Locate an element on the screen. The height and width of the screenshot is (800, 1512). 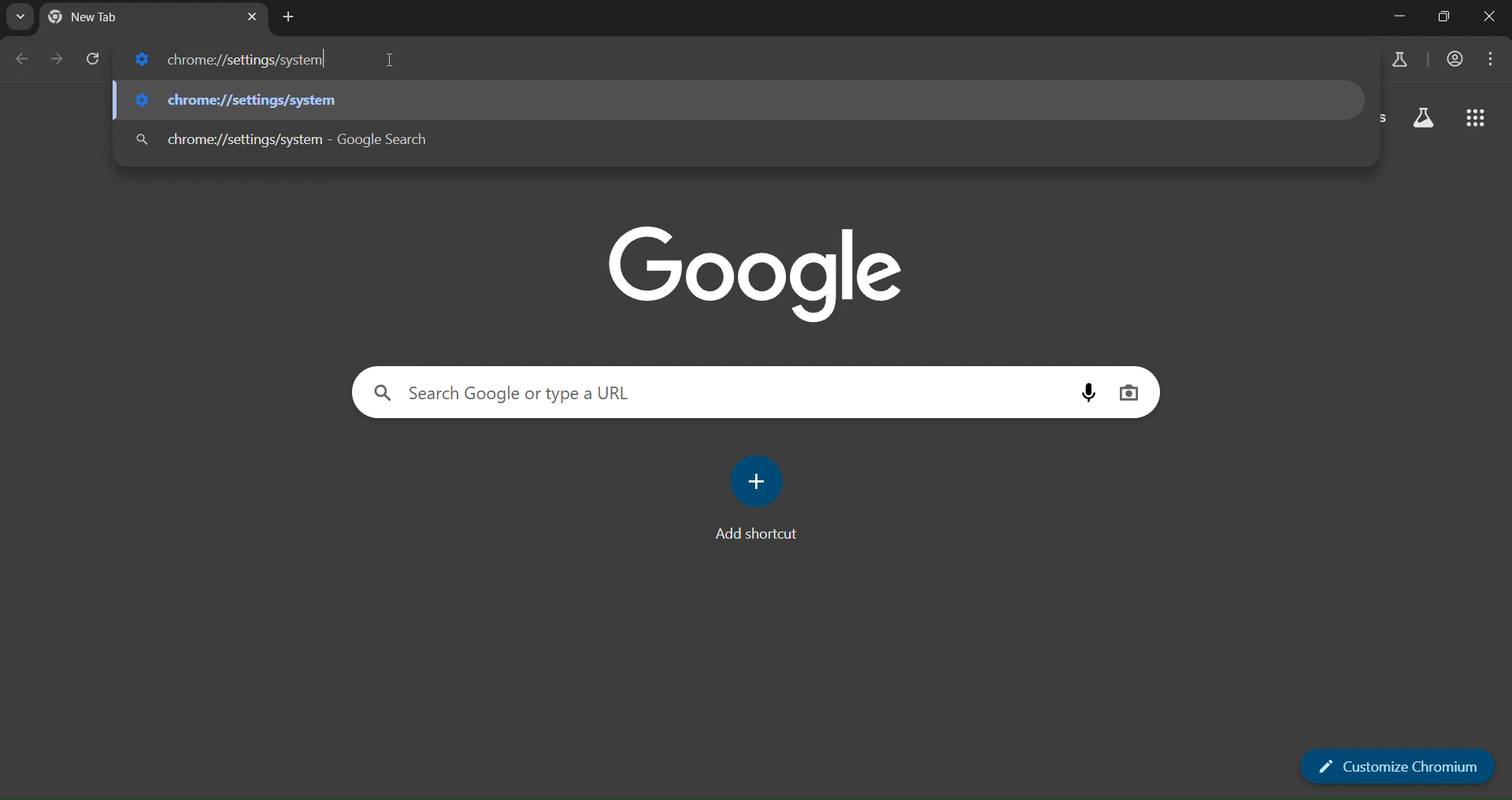
cursor is located at coordinates (391, 59).